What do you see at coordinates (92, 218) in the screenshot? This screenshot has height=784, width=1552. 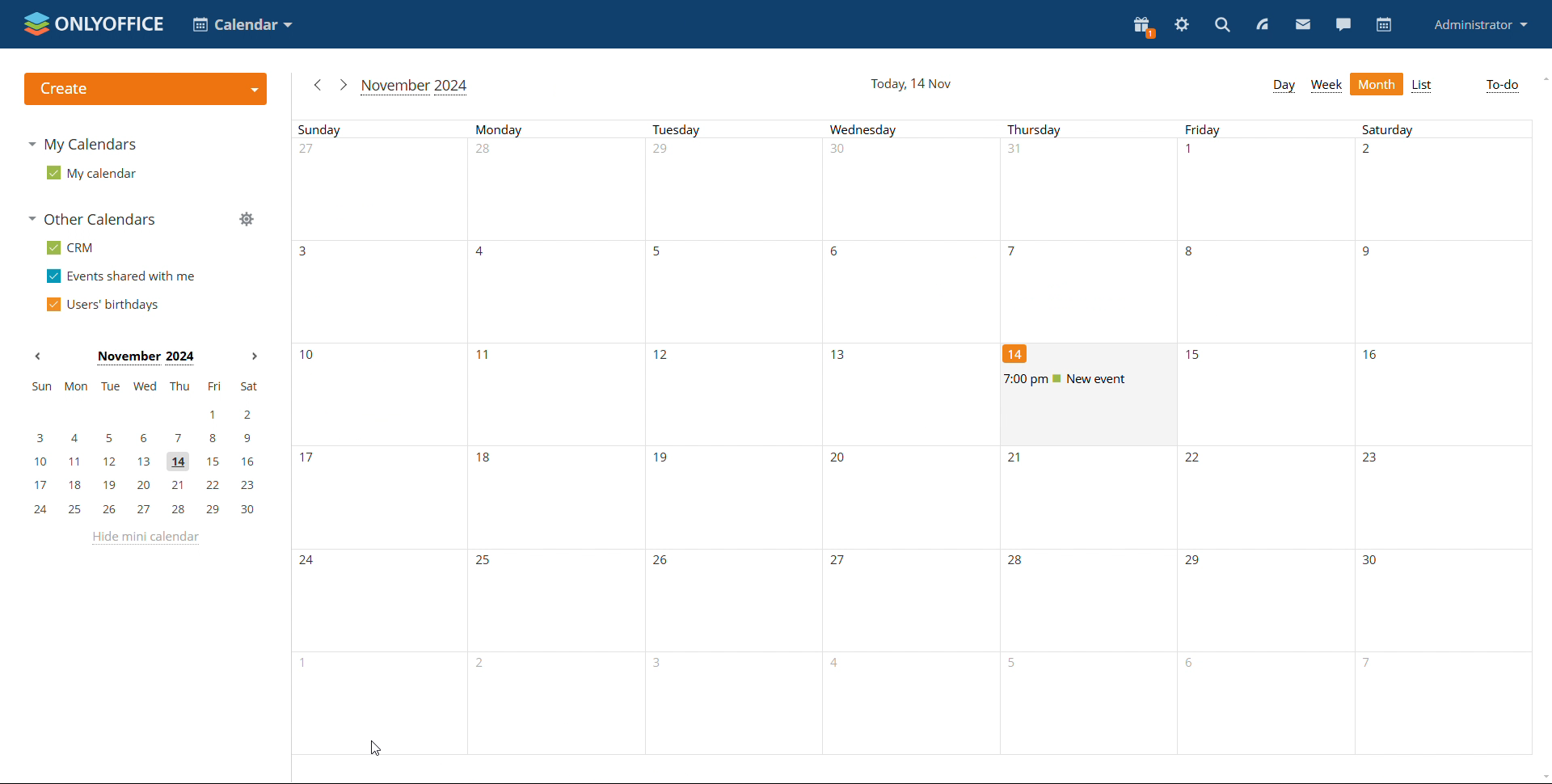 I see `other calendars` at bounding box center [92, 218].